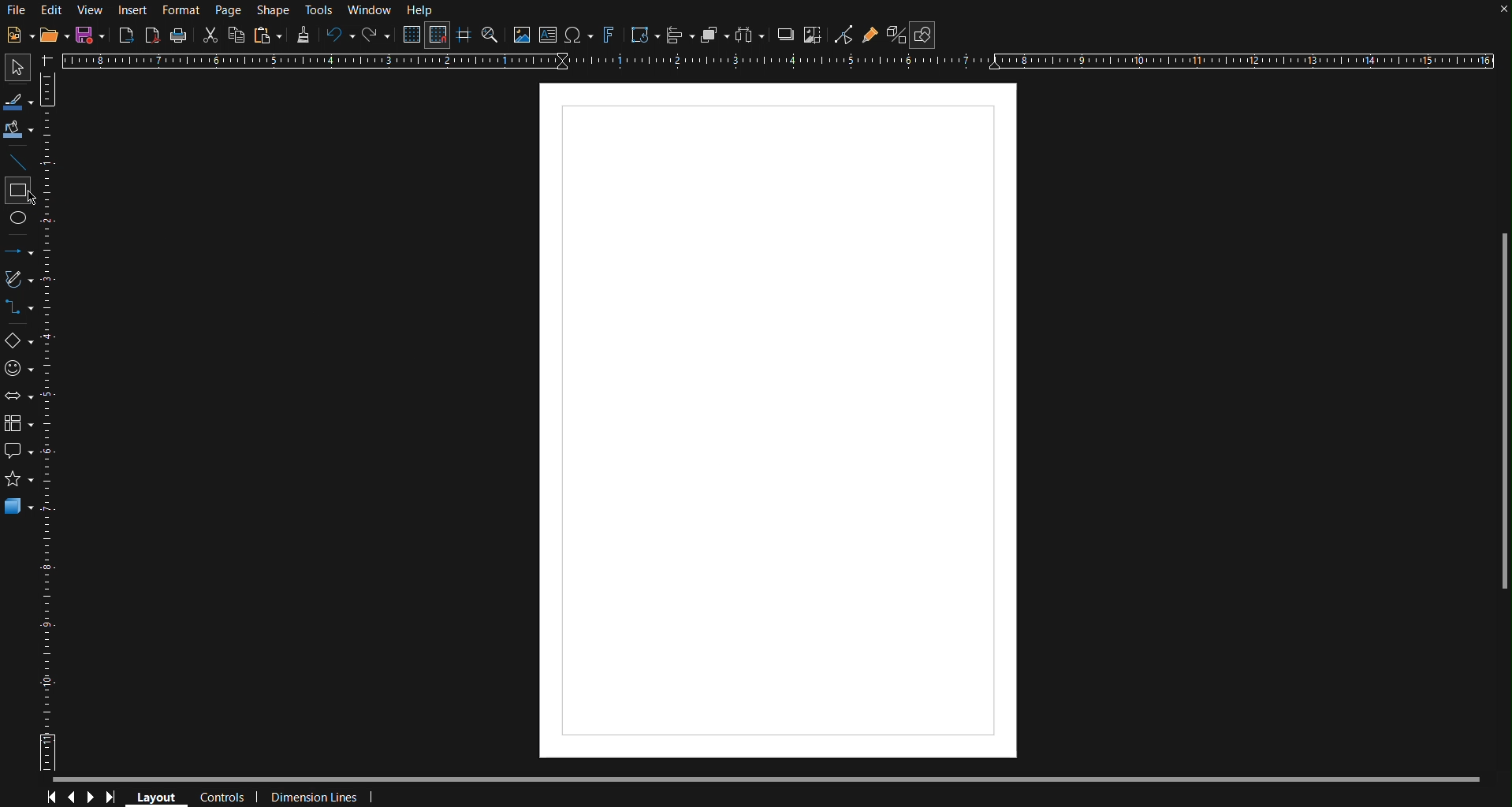 The height and width of the screenshot is (807, 1512). What do you see at coordinates (437, 35) in the screenshot?
I see `Snap to Grid` at bounding box center [437, 35].